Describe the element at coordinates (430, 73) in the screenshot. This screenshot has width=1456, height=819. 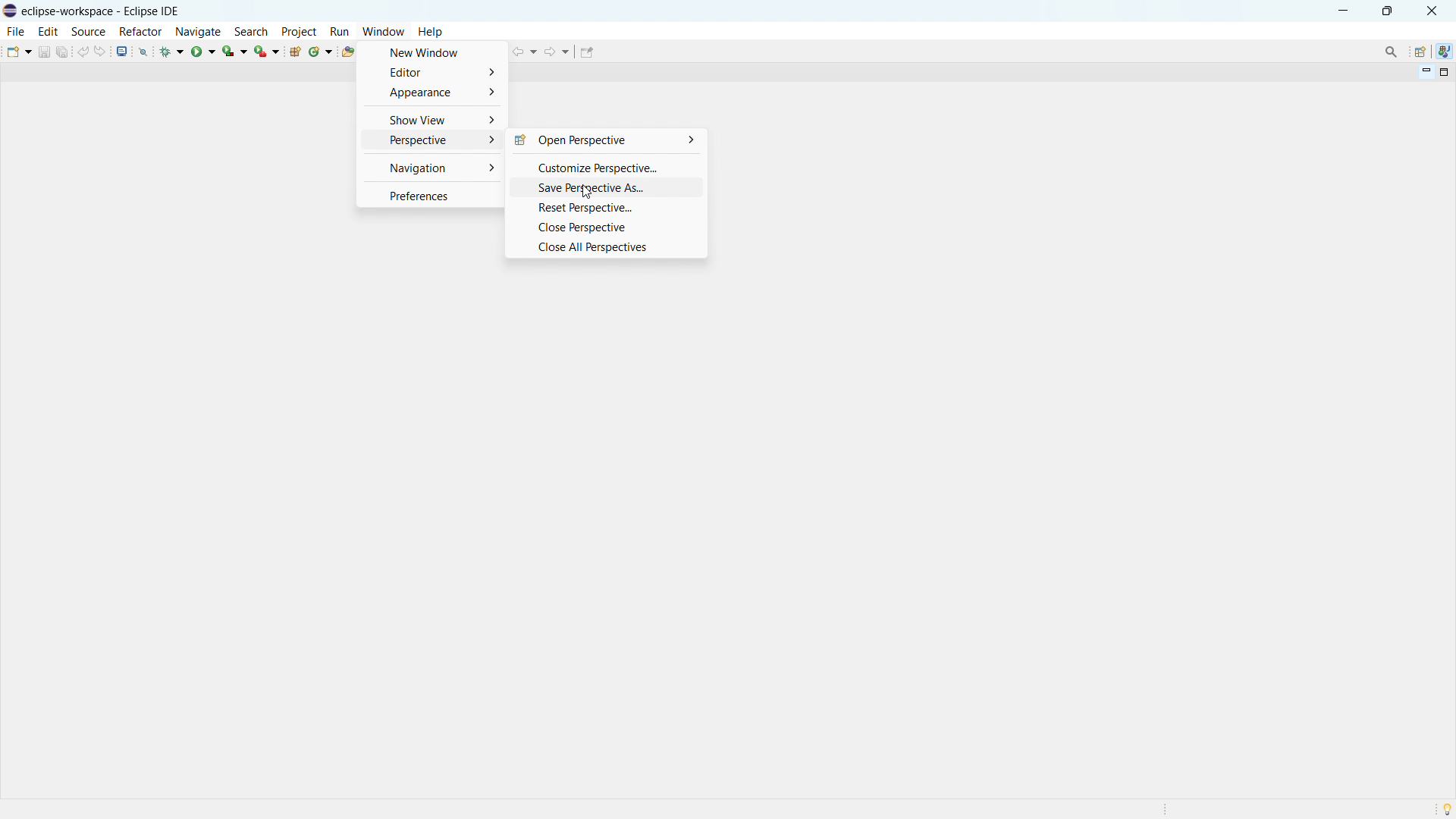
I see `editor` at that location.